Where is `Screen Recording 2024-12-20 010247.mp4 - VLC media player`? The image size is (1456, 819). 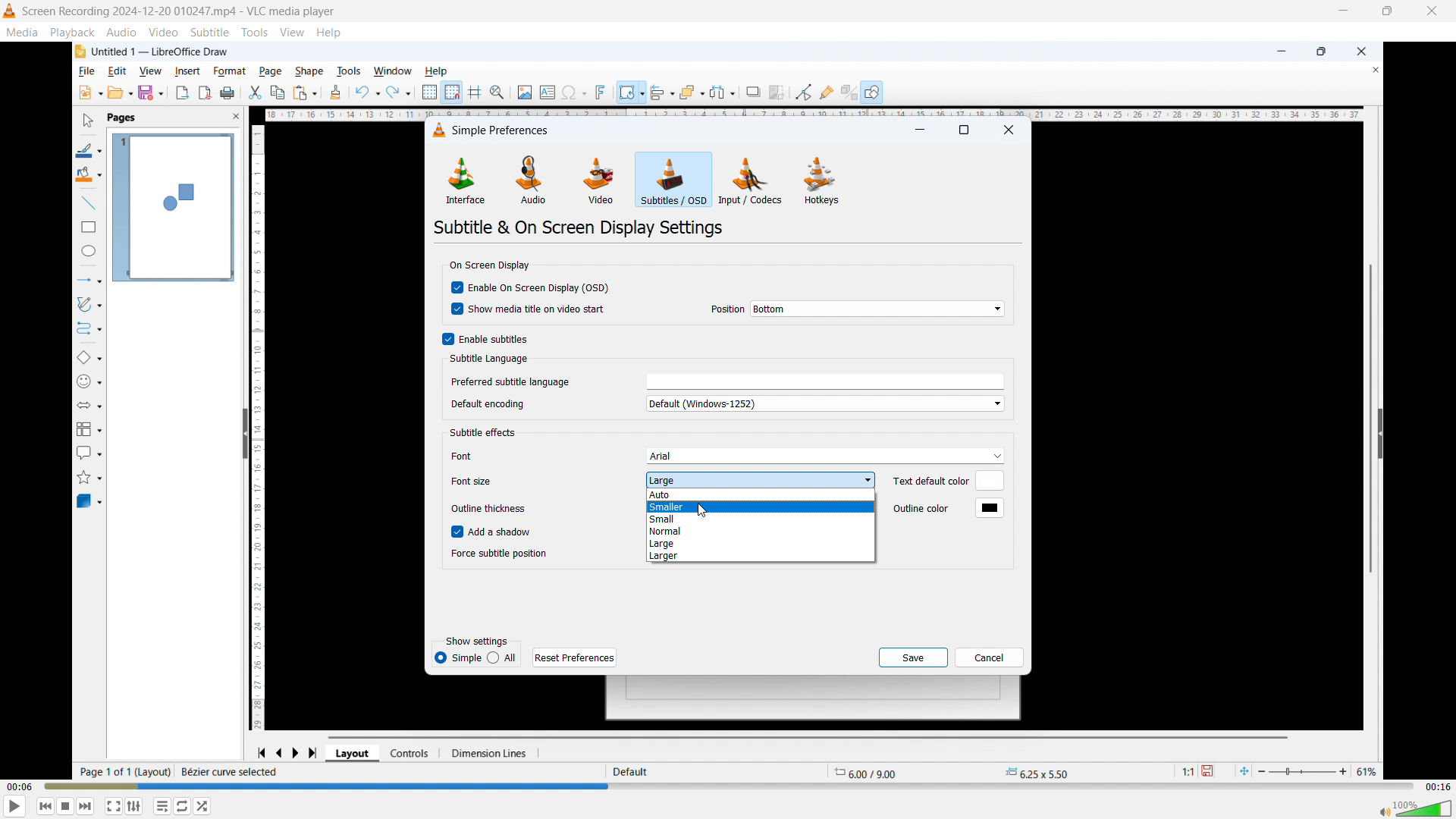 Screen Recording 2024-12-20 010247.mp4 - VLC media player is located at coordinates (180, 12).